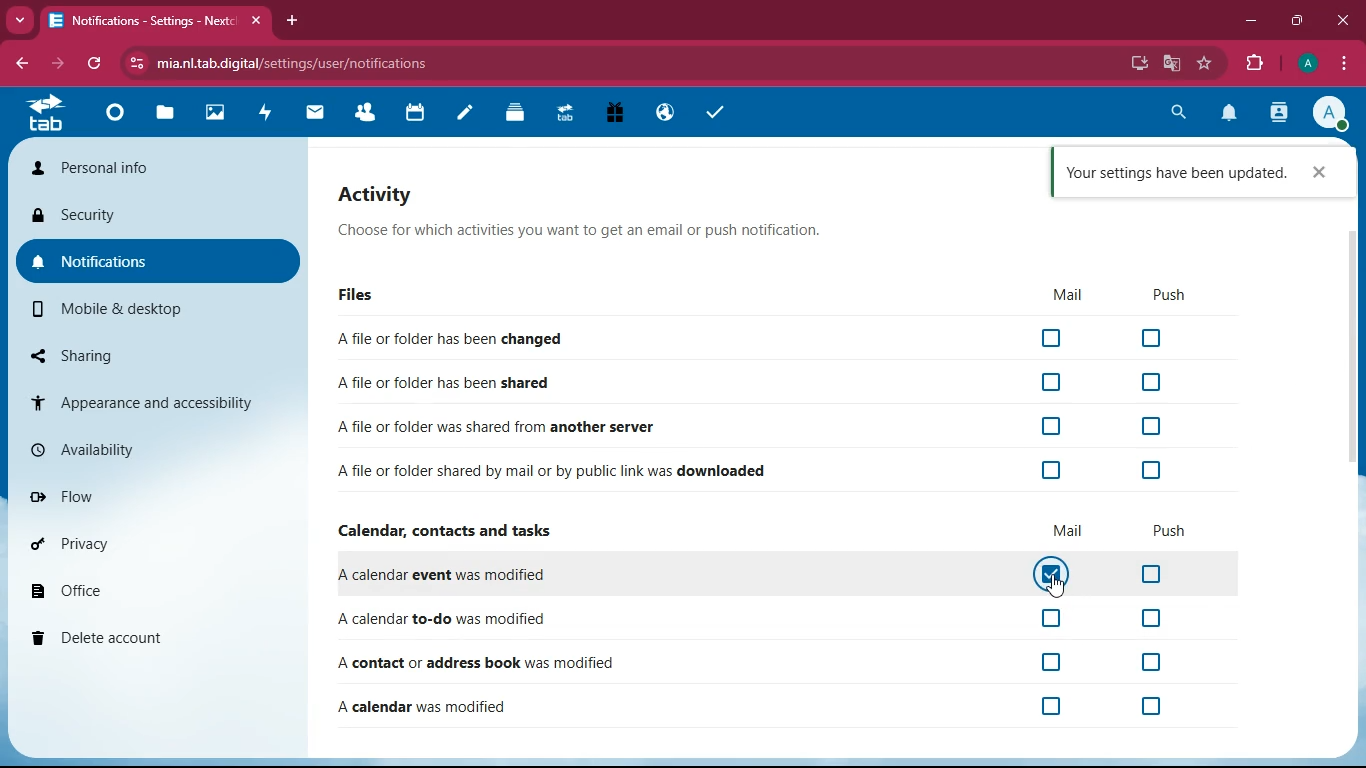  I want to click on options, so click(1345, 63).